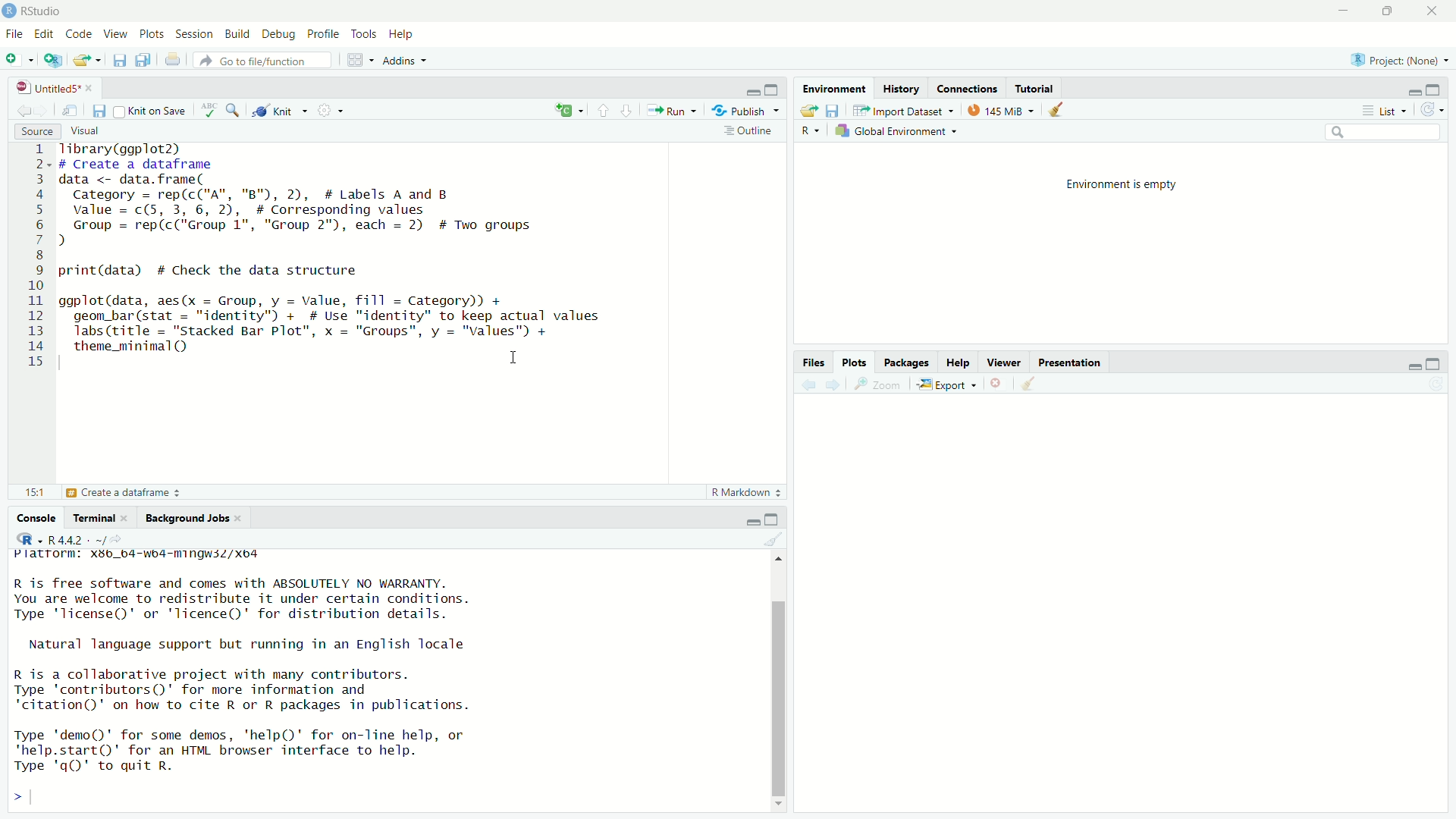 The width and height of the screenshot is (1456, 819). Describe the element at coordinates (52, 86) in the screenshot. I see `Untitled5*` at that location.